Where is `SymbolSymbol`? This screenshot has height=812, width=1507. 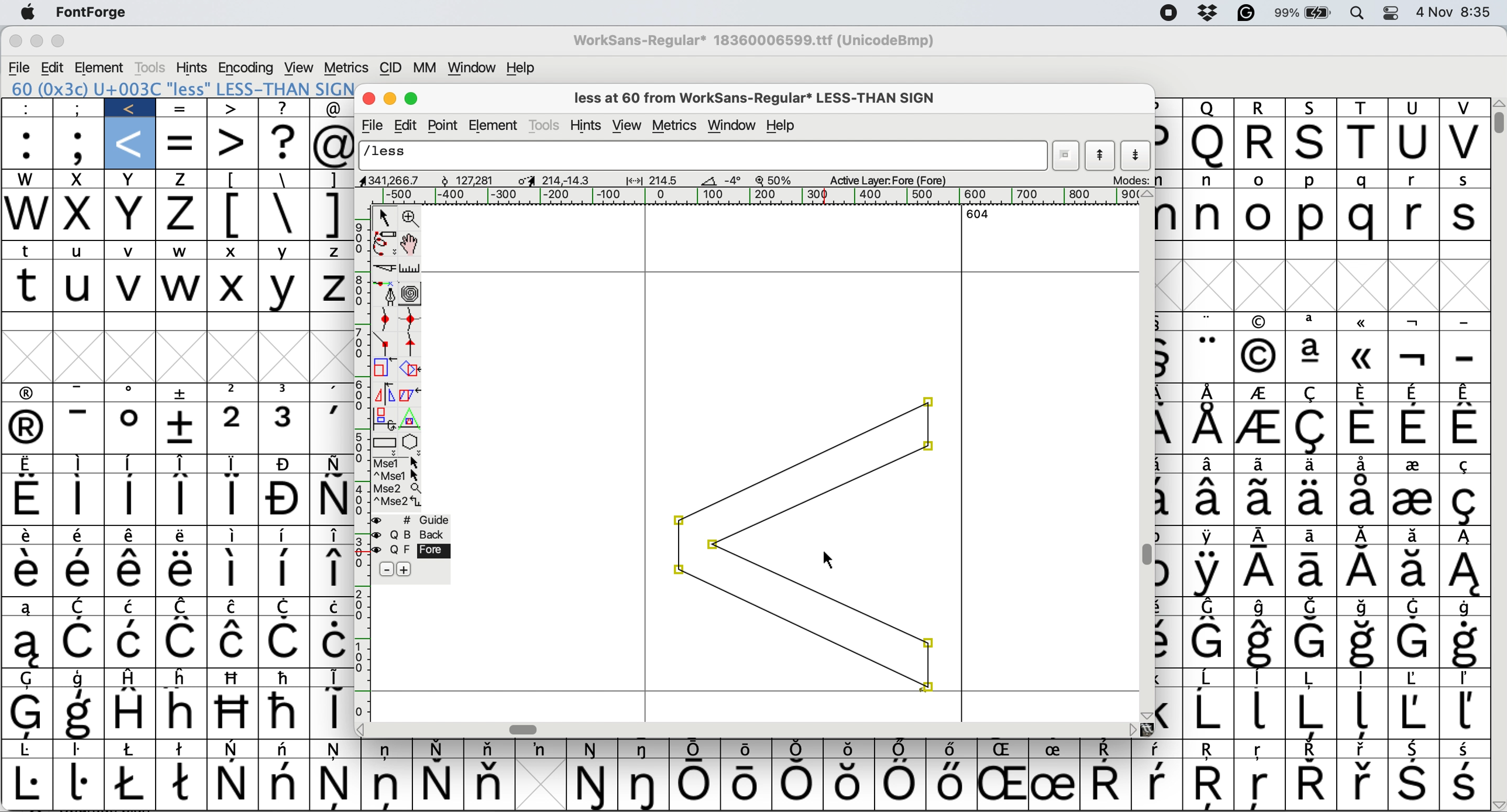
SymbolSymbol is located at coordinates (1363, 643).